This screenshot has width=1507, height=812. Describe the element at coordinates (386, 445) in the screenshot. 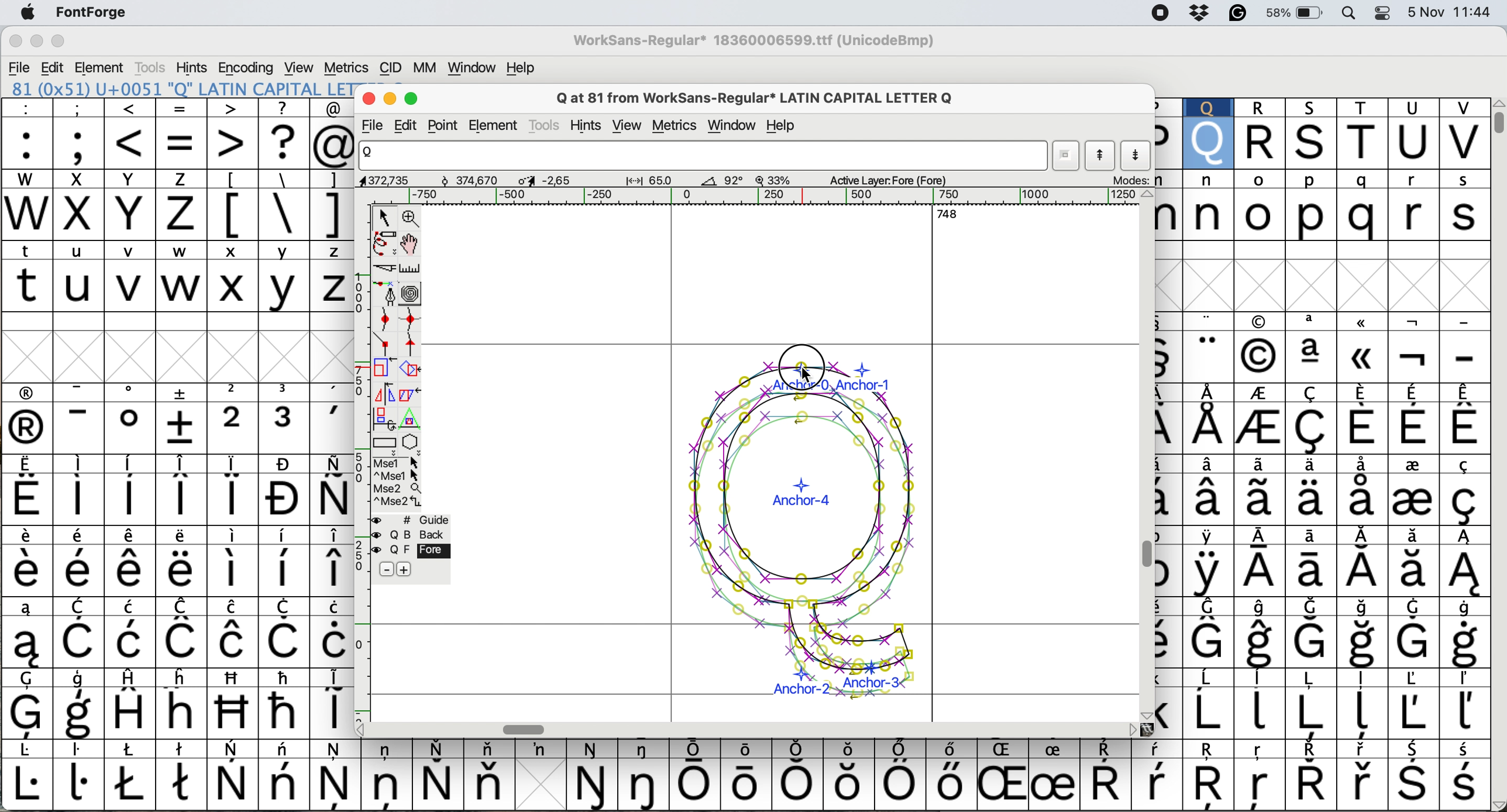

I see `rectangle or ellipse` at that location.